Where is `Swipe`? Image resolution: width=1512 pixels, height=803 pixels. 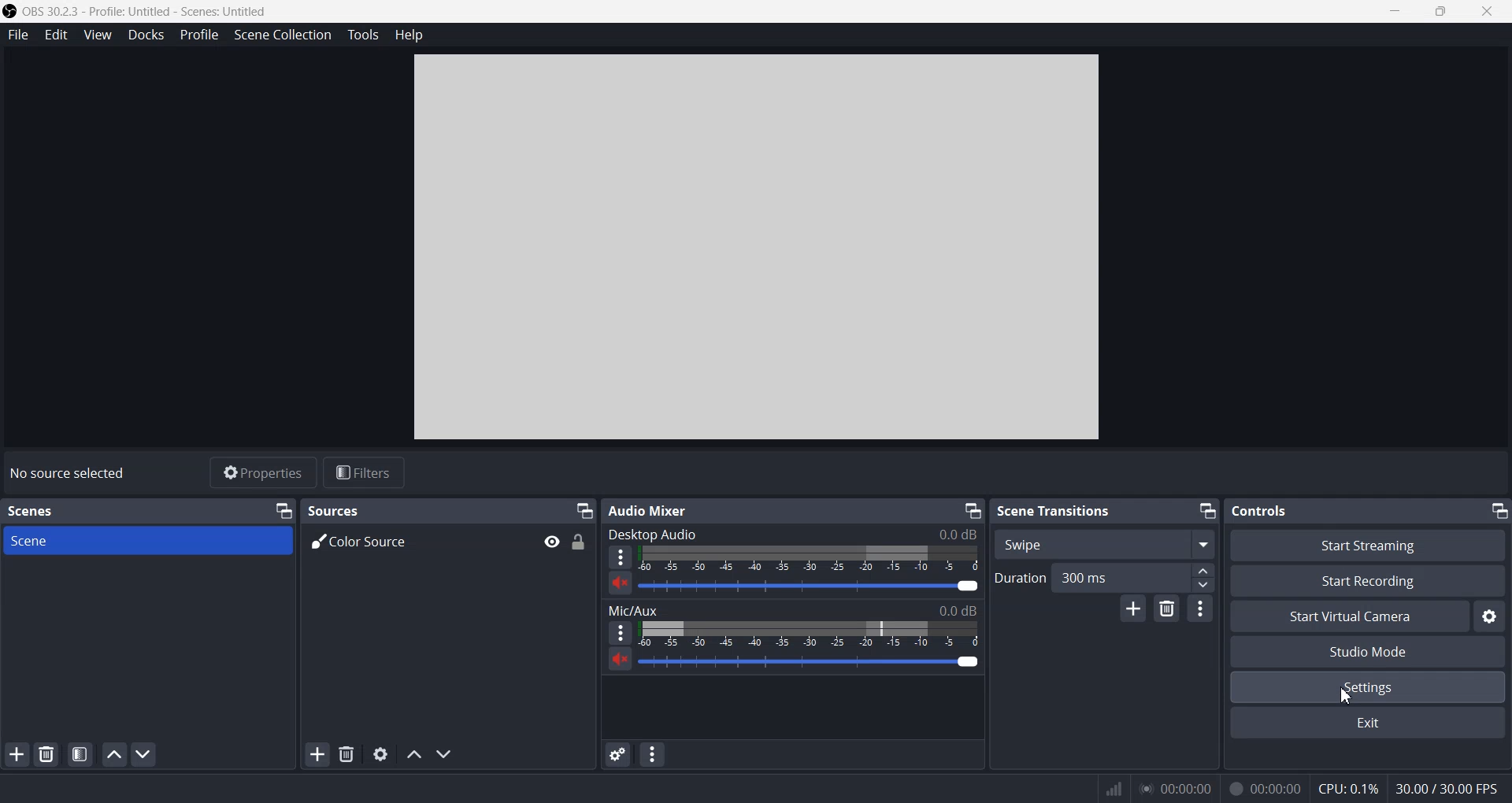
Swipe is located at coordinates (1104, 543).